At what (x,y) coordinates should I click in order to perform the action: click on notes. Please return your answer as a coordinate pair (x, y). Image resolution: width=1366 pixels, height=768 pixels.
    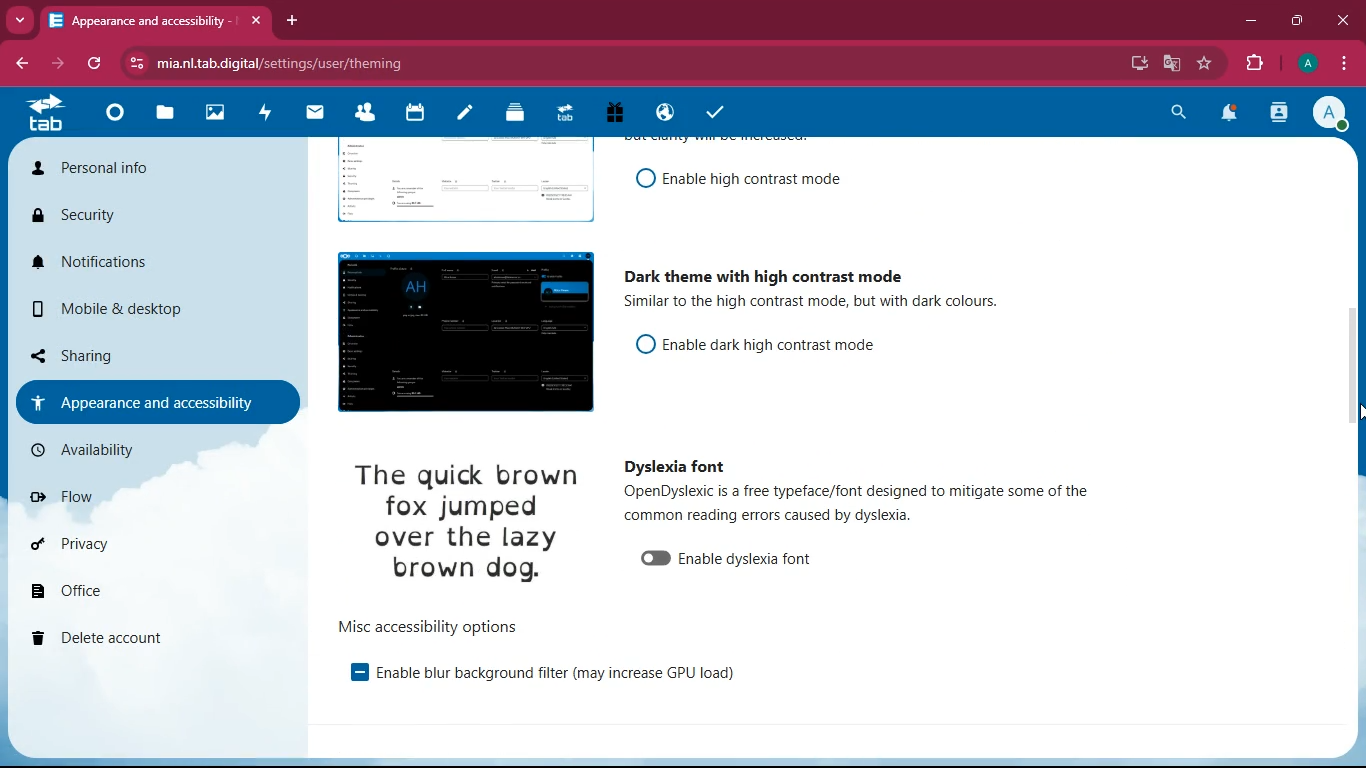
    Looking at the image, I should click on (469, 117).